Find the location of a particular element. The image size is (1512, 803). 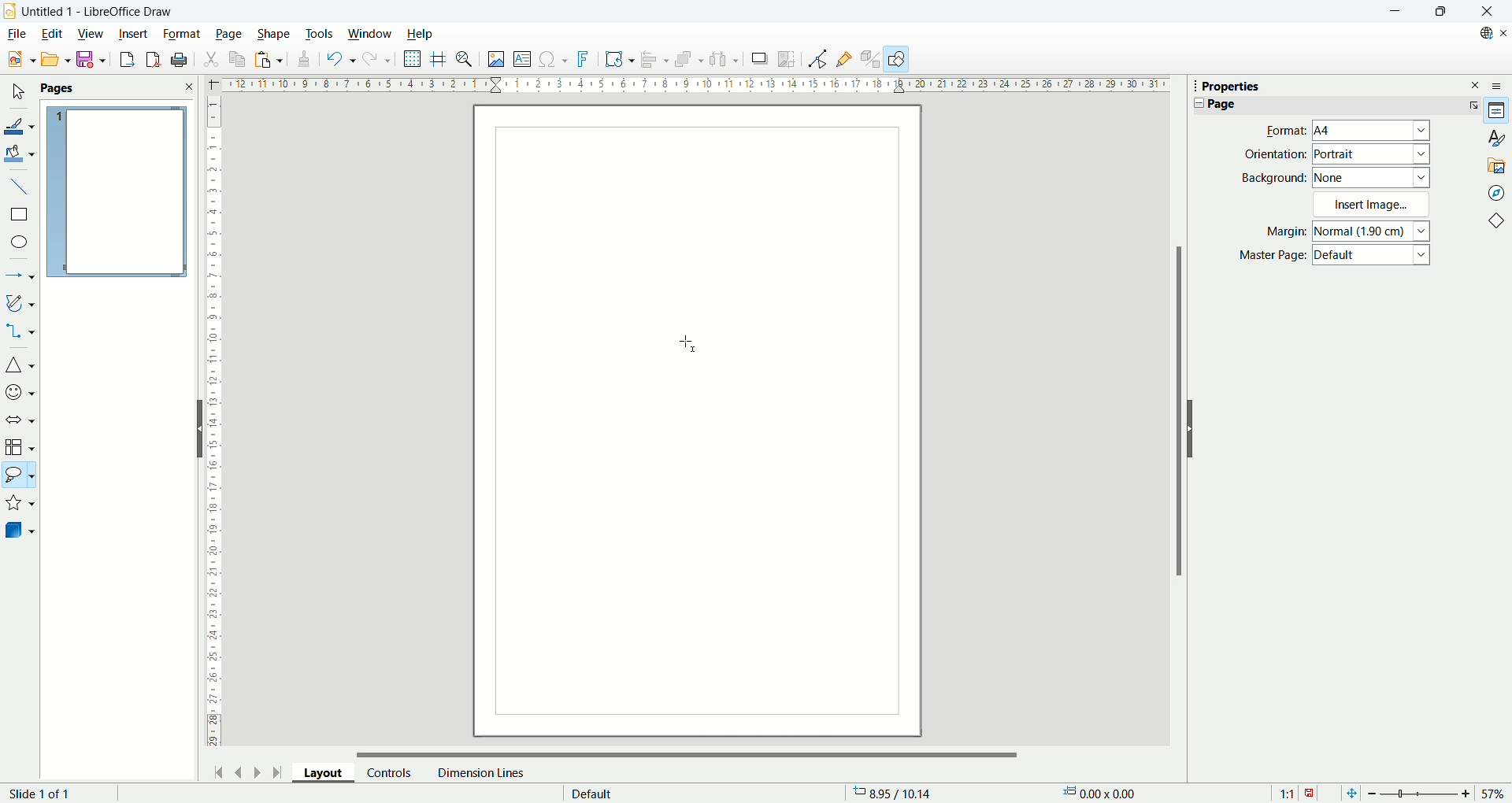

Default is located at coordinates (1373, 257).